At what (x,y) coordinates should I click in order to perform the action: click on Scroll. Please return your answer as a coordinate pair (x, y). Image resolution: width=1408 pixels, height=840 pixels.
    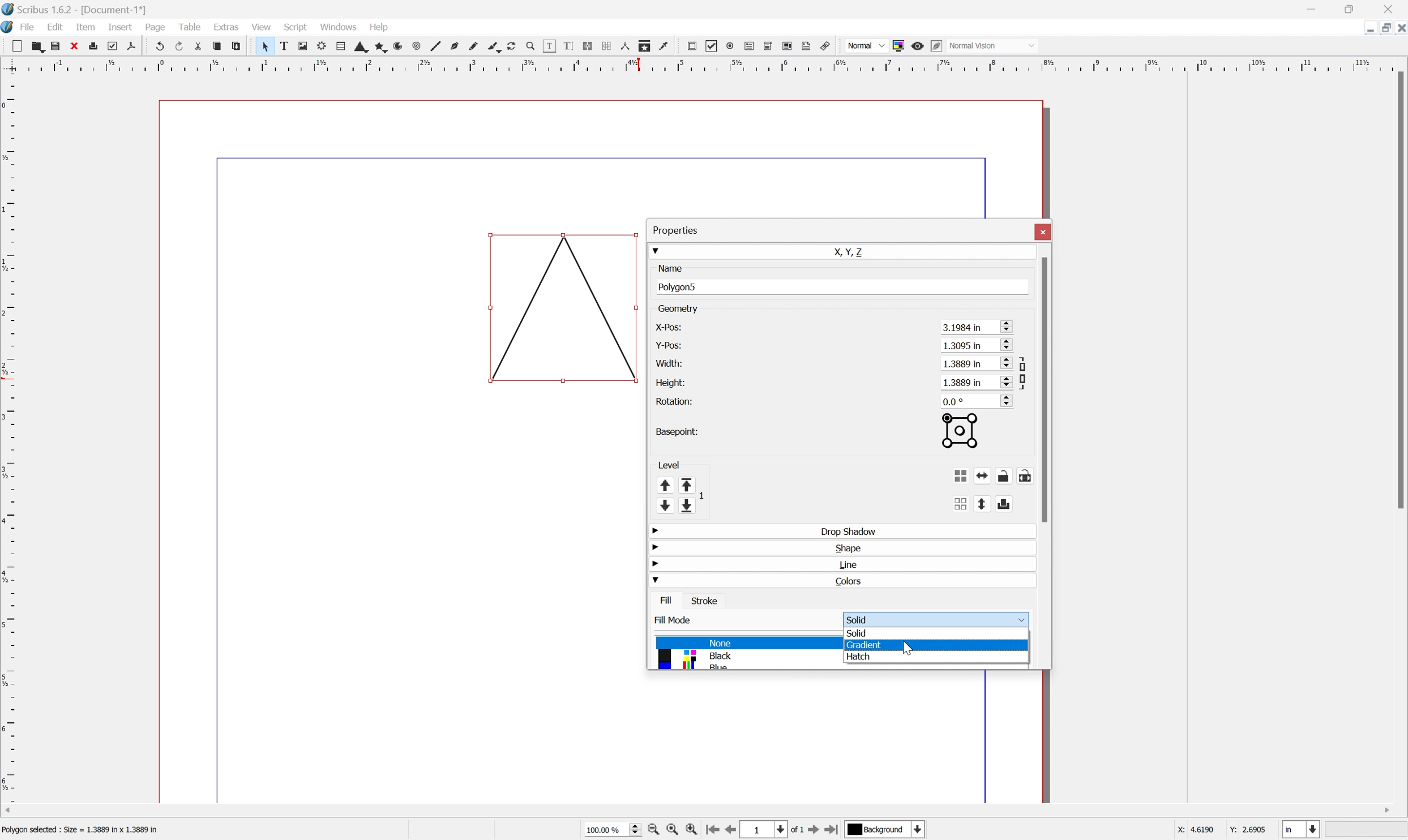
    Looking at the image, I should click on (1018, 381).